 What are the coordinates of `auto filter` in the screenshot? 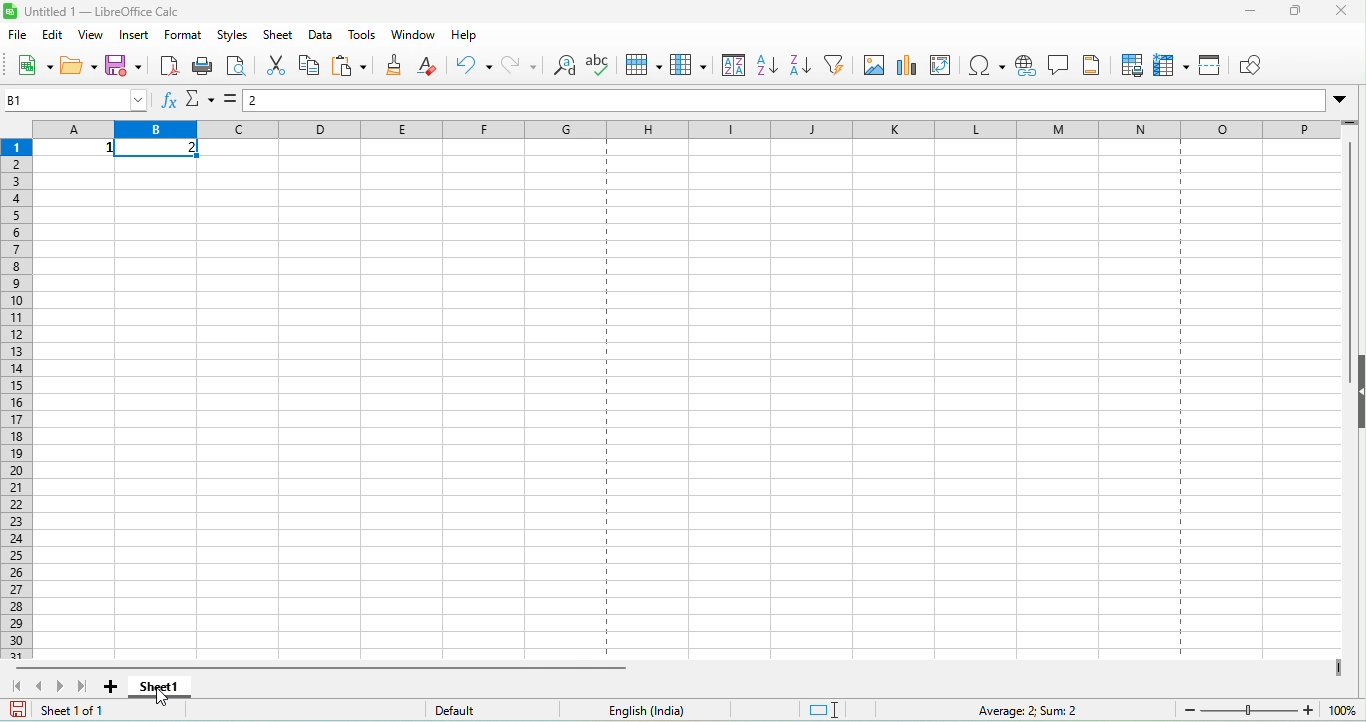 It's located at (838, 68).